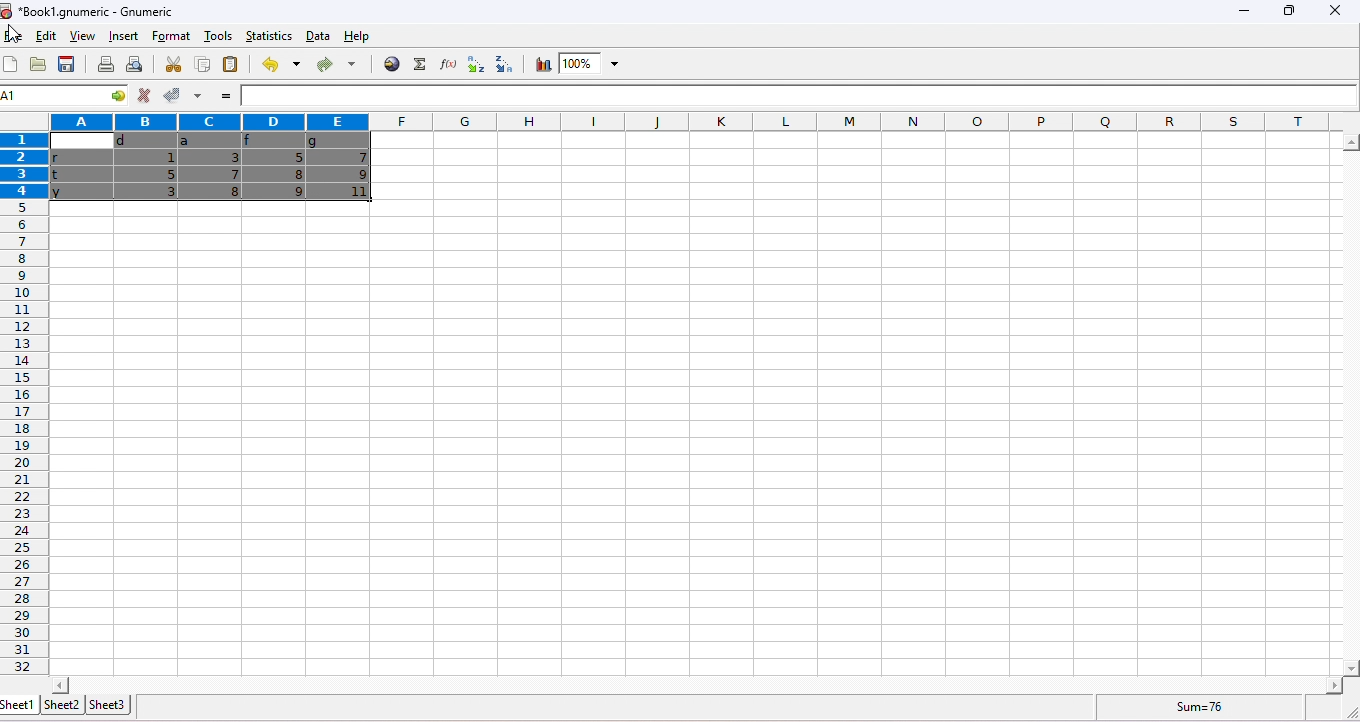 This screenshot has height=722, width=1360. I want to click on sheet2, so click(61, 704).